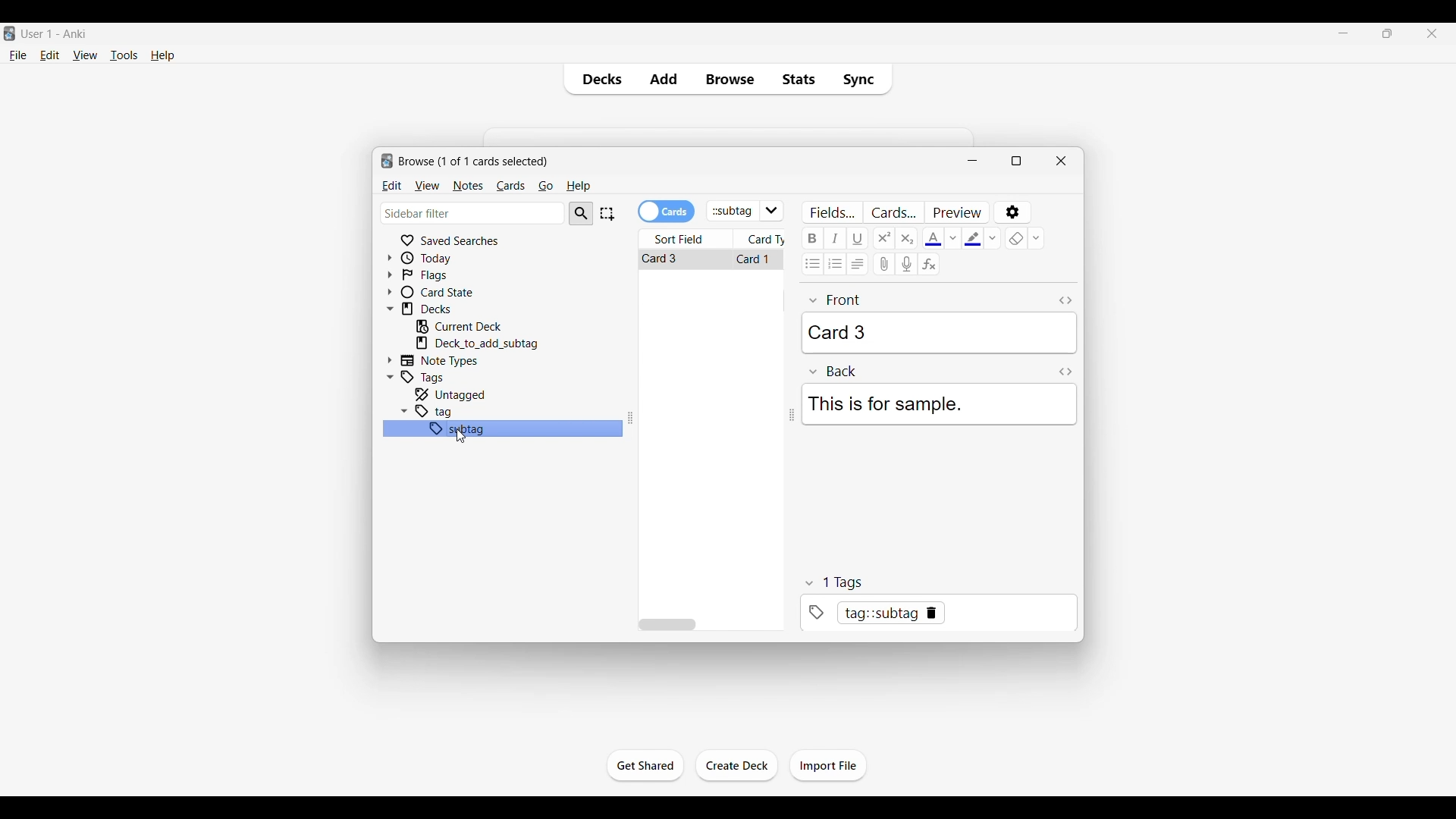  What do you see at coordinates (883, 238) in the screenshot?
I see `Superscript` at bounding box center [883, 238].